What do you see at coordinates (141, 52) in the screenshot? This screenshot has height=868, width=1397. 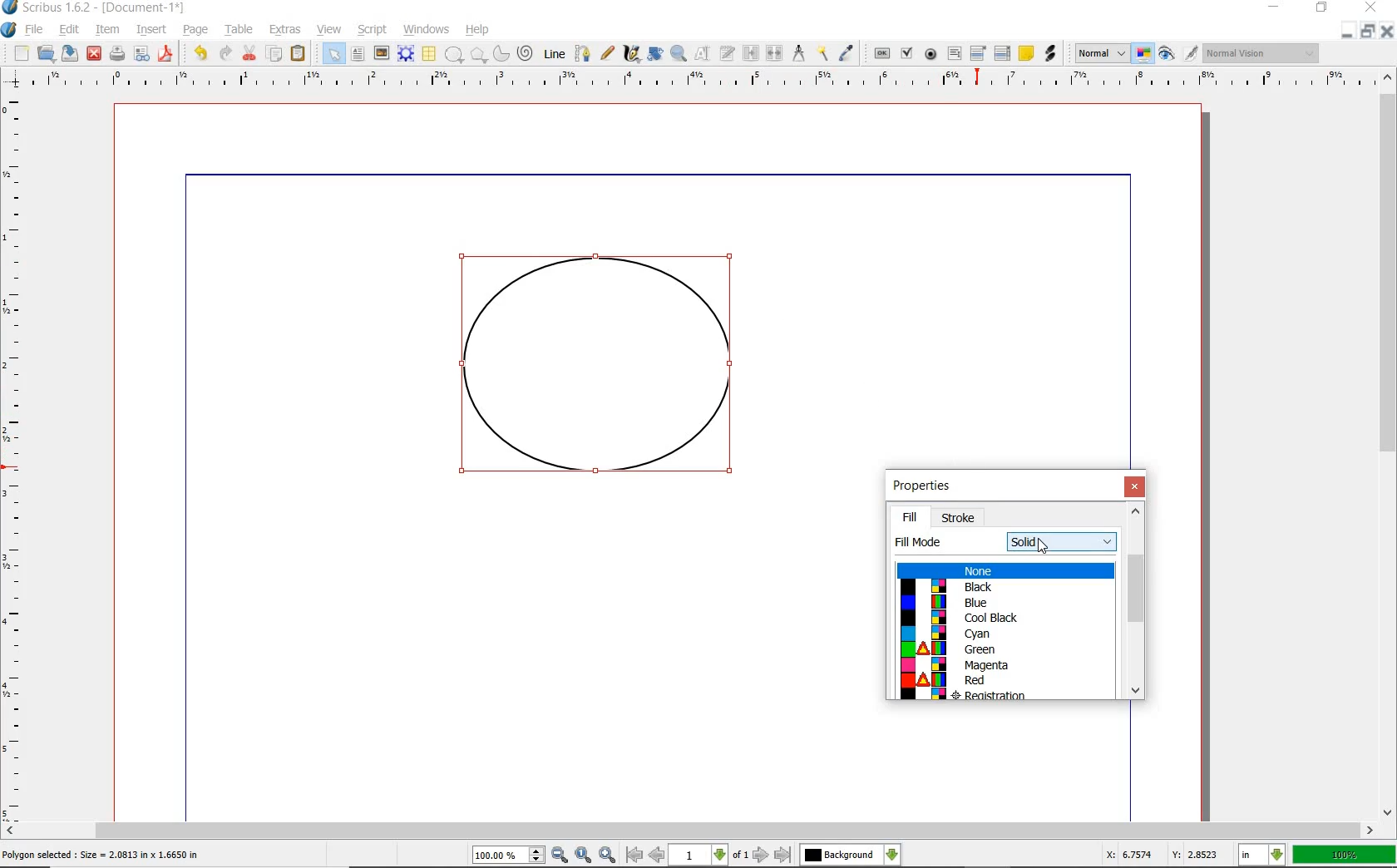 I see `PREFLIGHT VERIFIER` at bounding box center [141, 52].